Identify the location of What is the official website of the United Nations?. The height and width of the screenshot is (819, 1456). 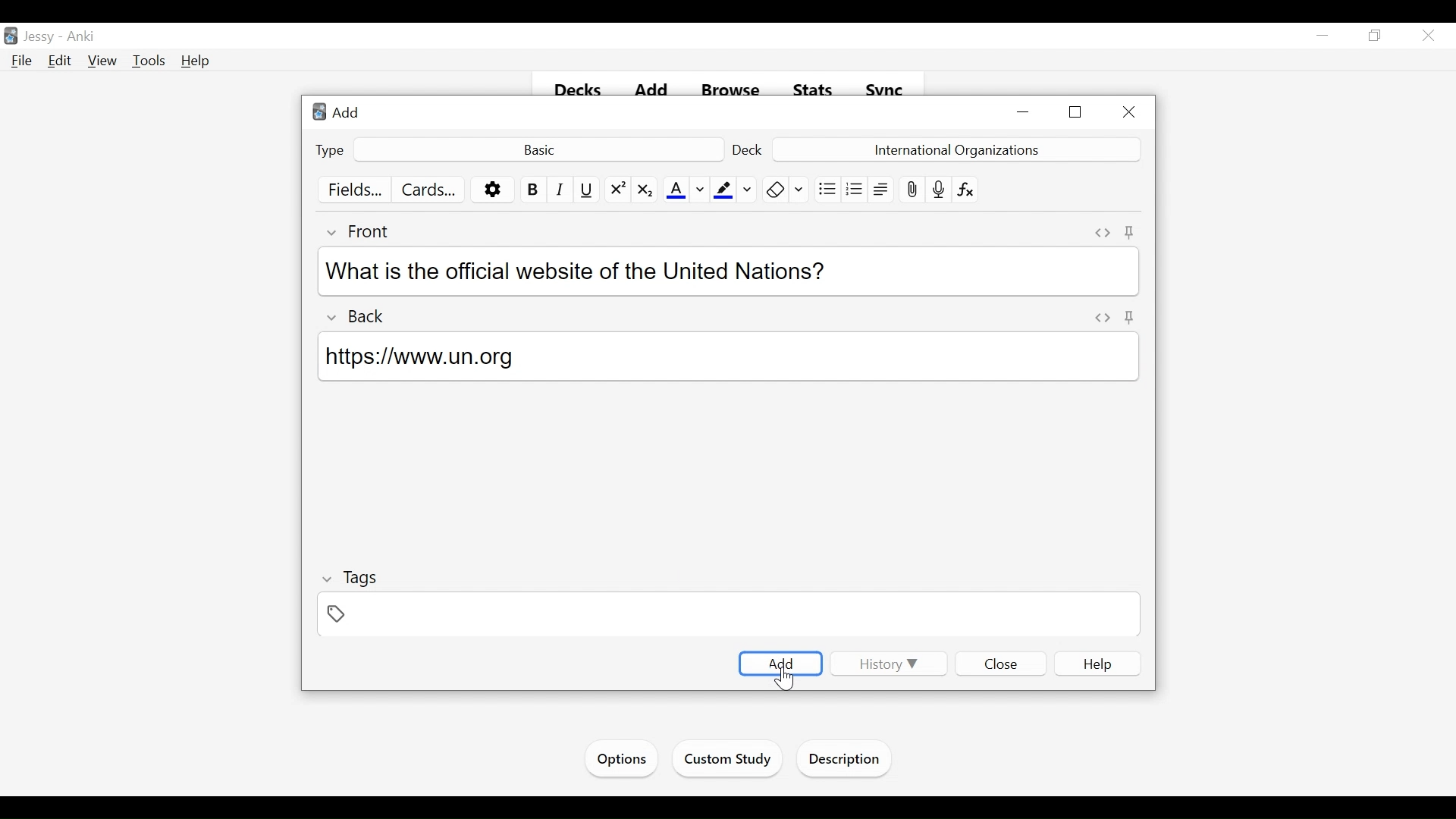
(727, 271).